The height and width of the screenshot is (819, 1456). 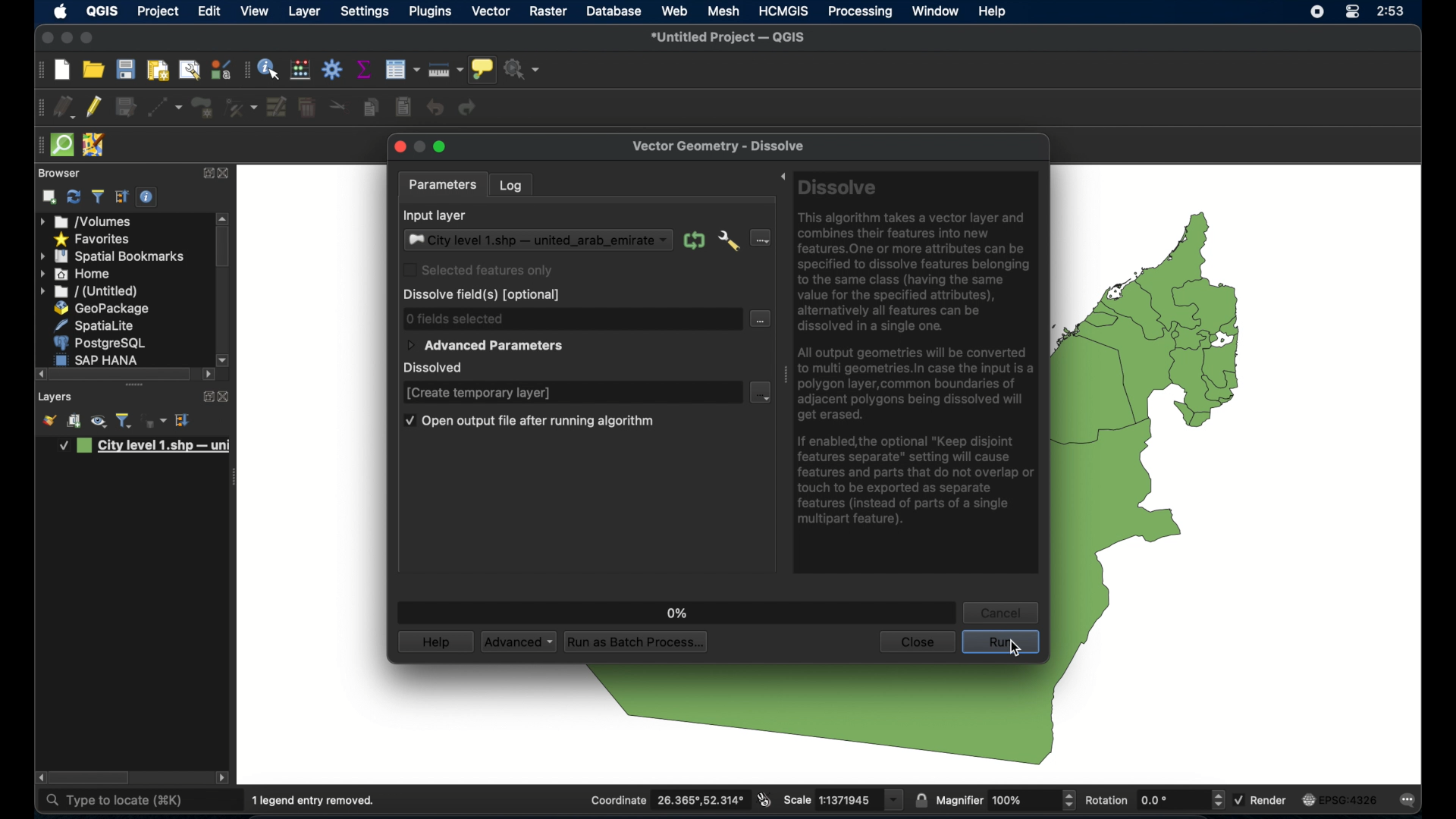 What do you see at coordinates (98, 423) in the screenshot?
I see `manage map theme` at bounding box center [98, 423].